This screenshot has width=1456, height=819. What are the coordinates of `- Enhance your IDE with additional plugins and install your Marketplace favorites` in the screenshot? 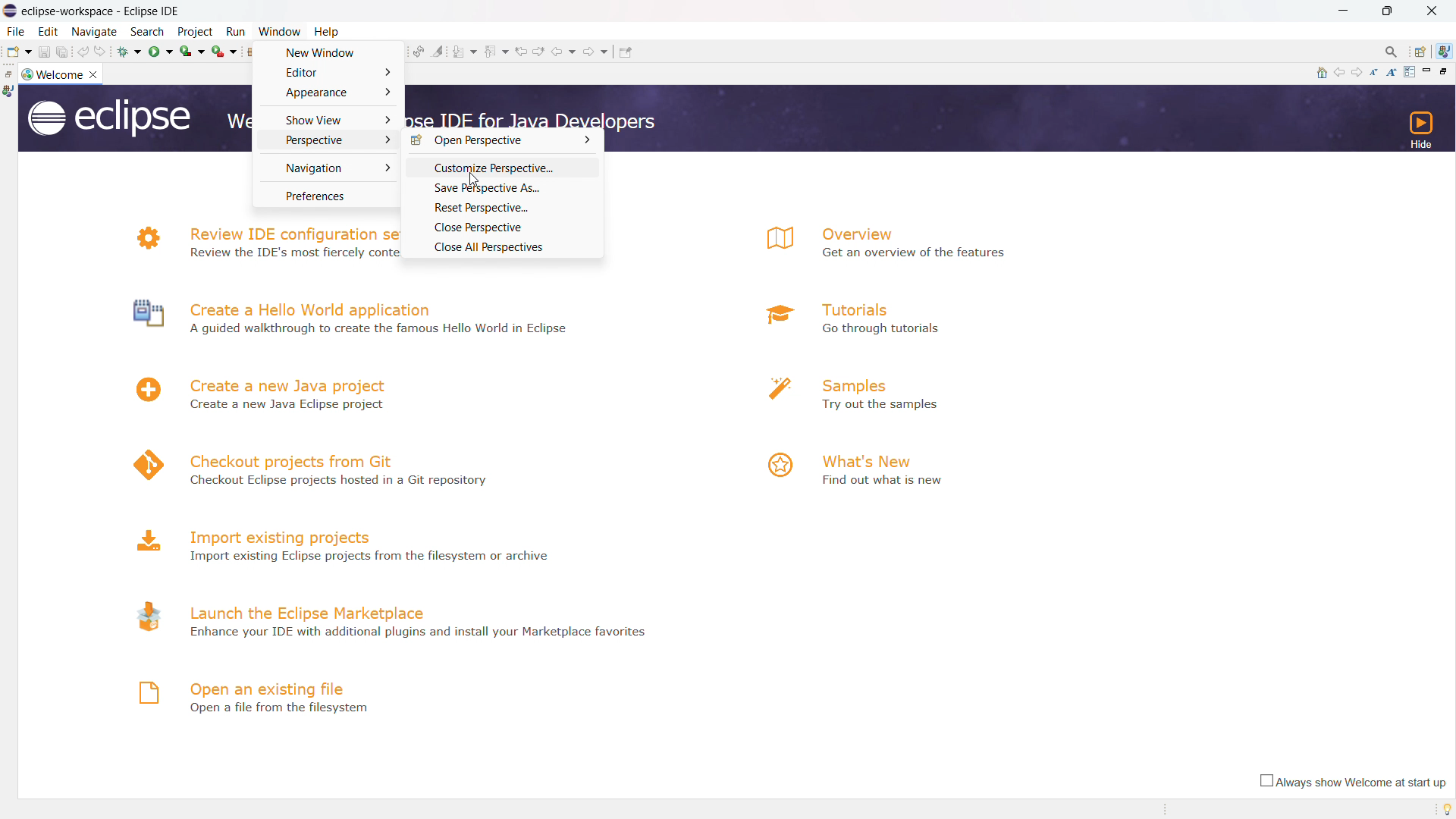 It's located at (422, 632).